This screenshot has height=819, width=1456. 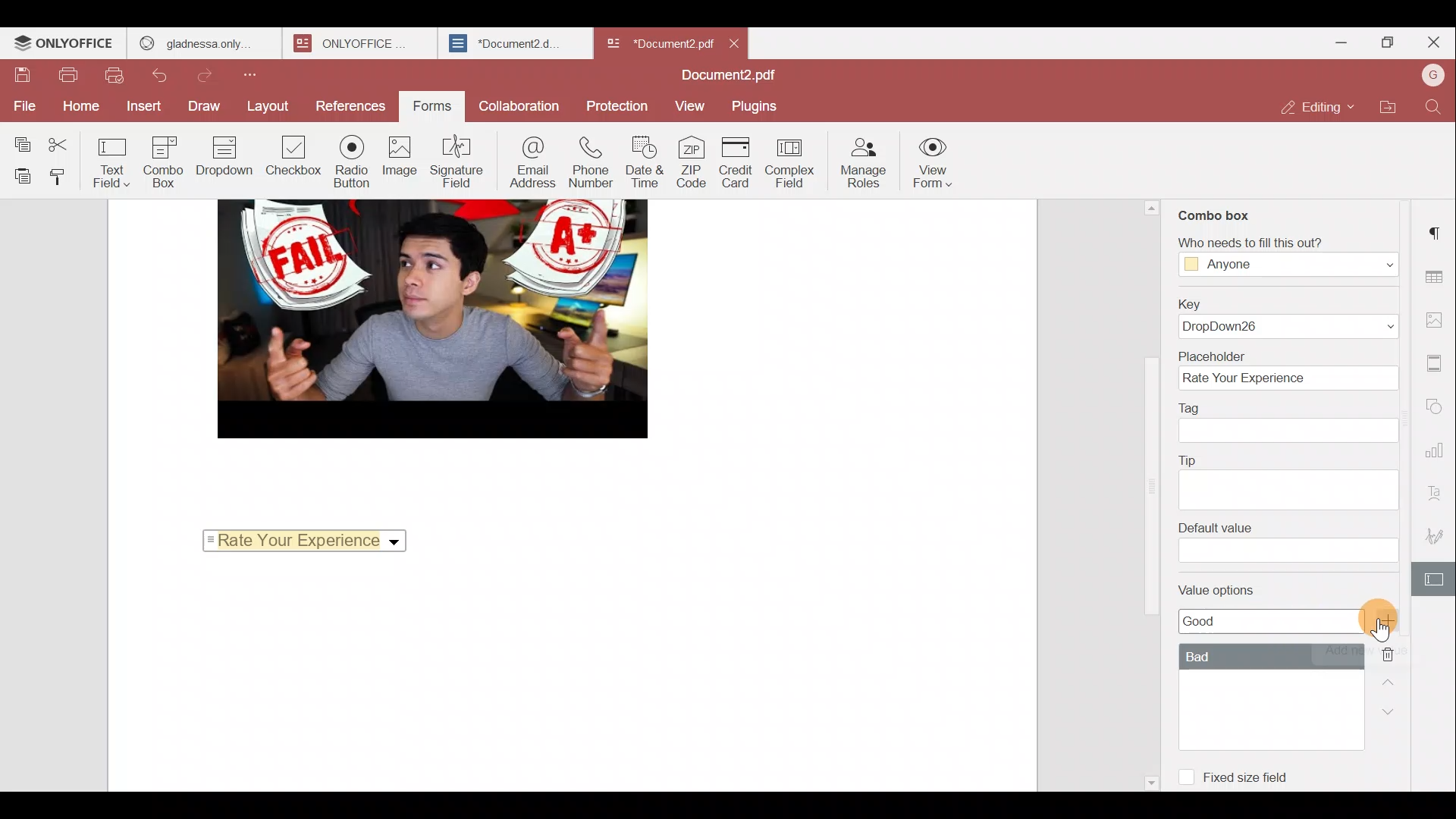 I want to click on Cut, so click(x=70, y=142).